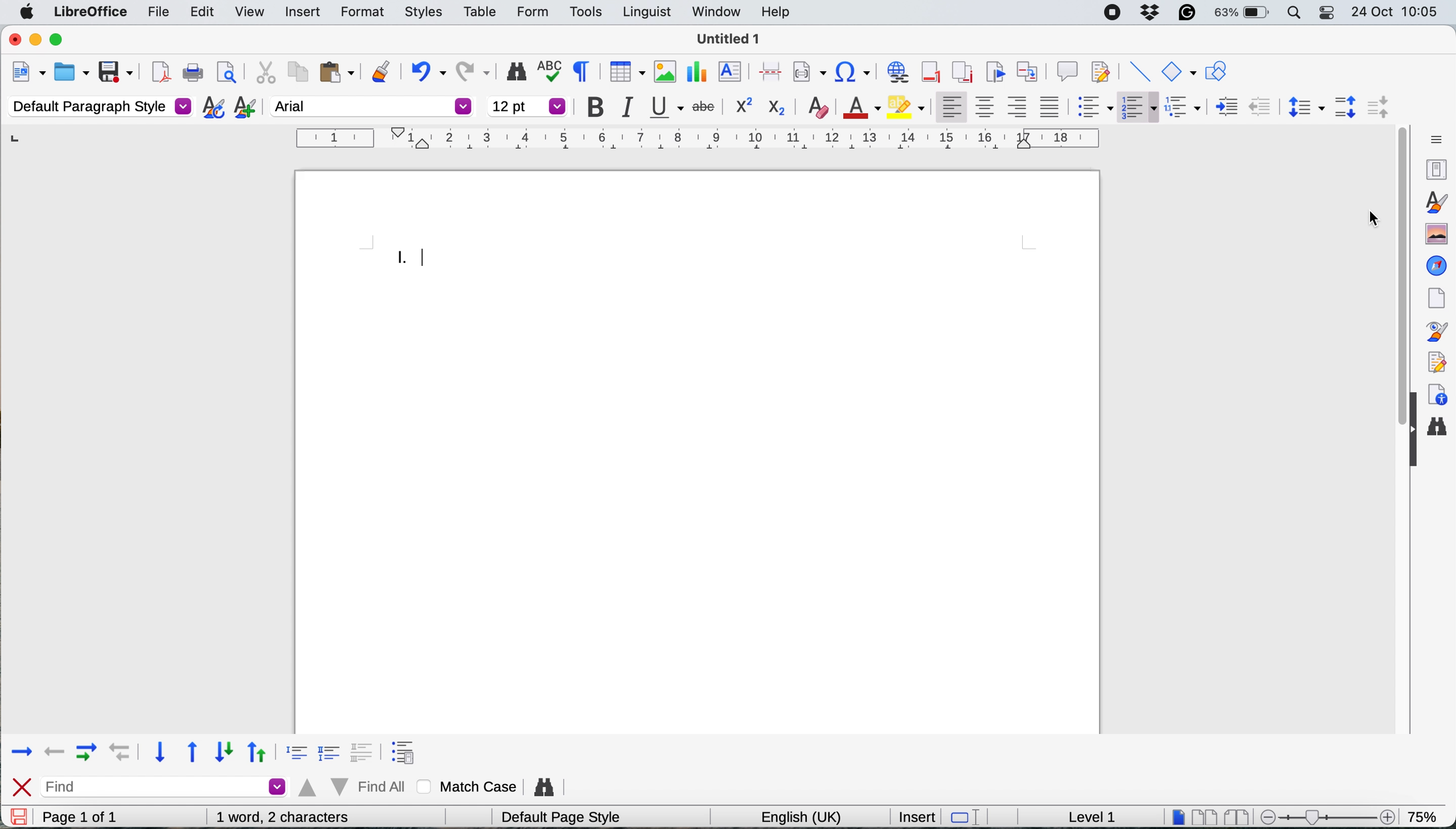 Image resolution: width=1456 pixels, height=829 pixels. Describe the element at coordinates (1433, 331) in the screenshot. I see `style inspector` at that location.